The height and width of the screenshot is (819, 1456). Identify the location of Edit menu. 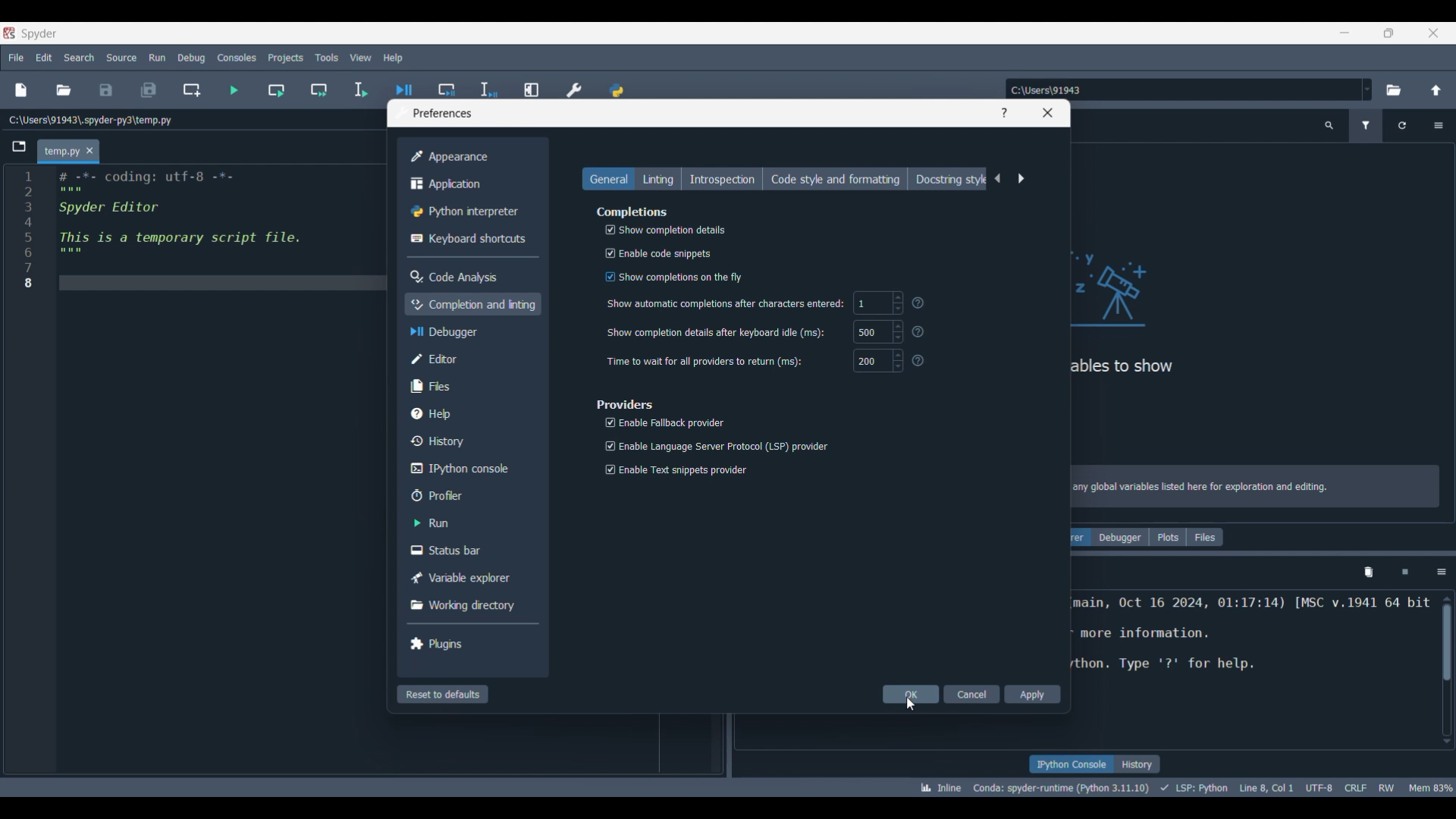
(45, 58).